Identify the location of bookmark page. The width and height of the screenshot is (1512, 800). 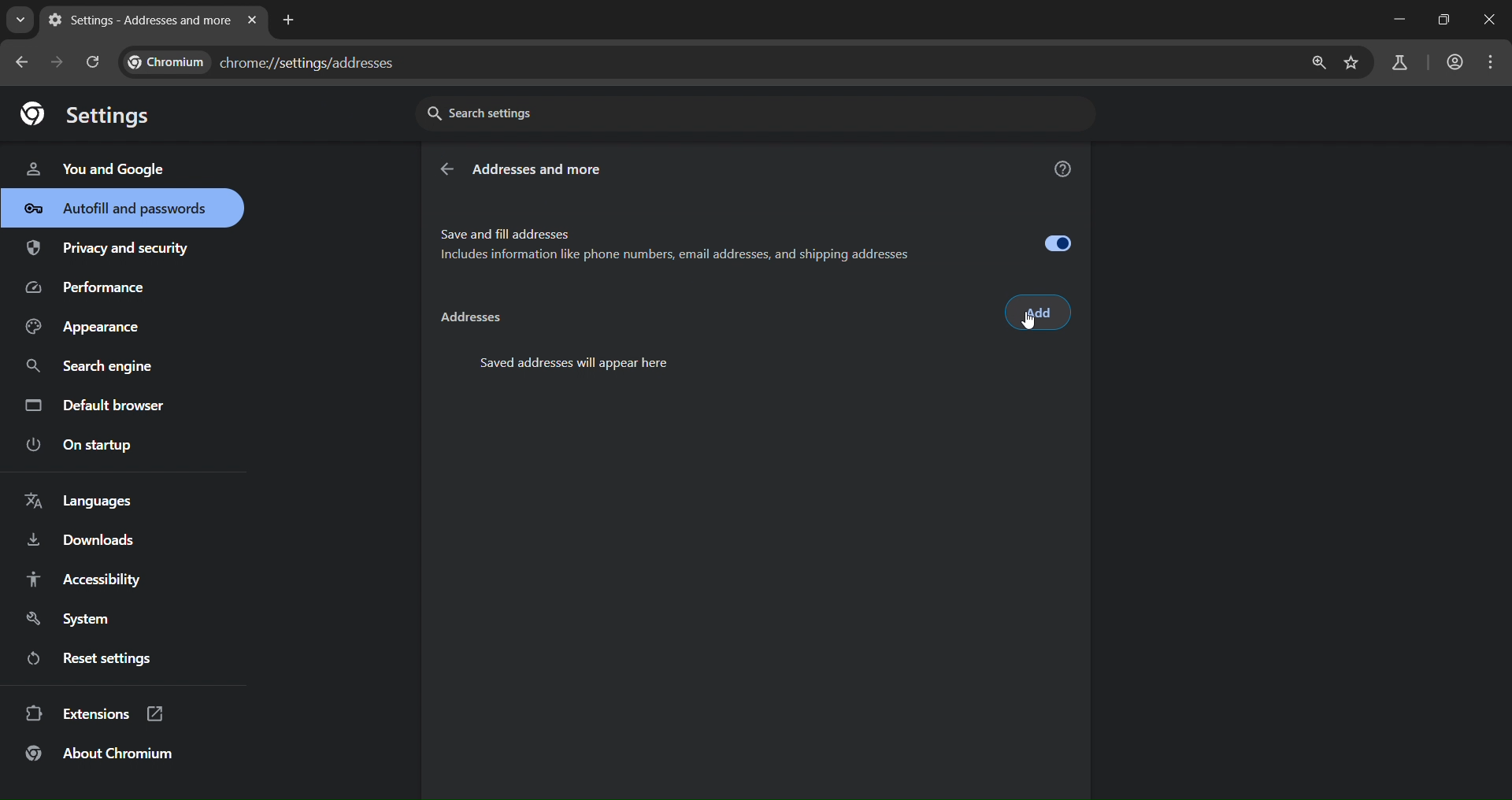
(1352, 64).